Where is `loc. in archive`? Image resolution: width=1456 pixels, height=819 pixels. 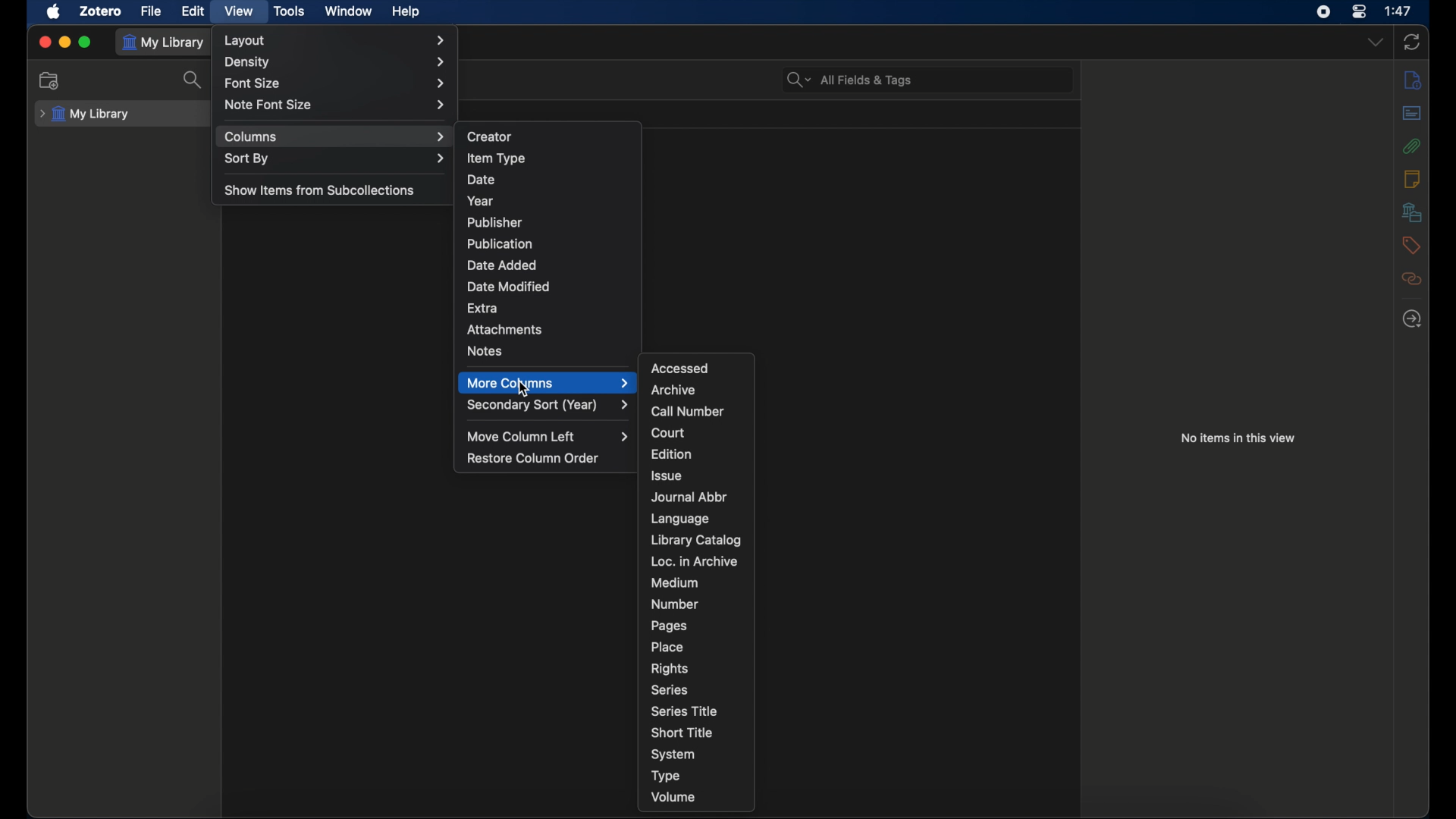 loc. in archive is located at coordinates (693, 561).